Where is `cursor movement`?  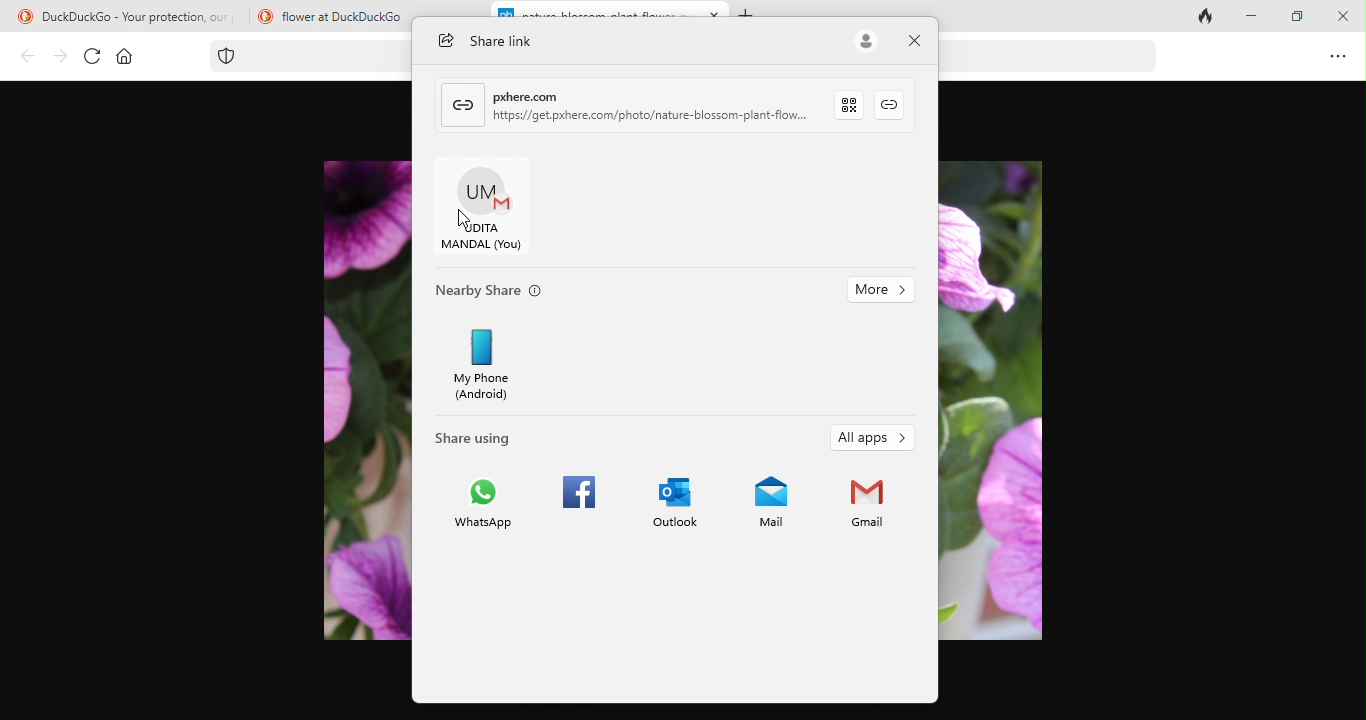
cursor movement is located at coordinates (460, 219).